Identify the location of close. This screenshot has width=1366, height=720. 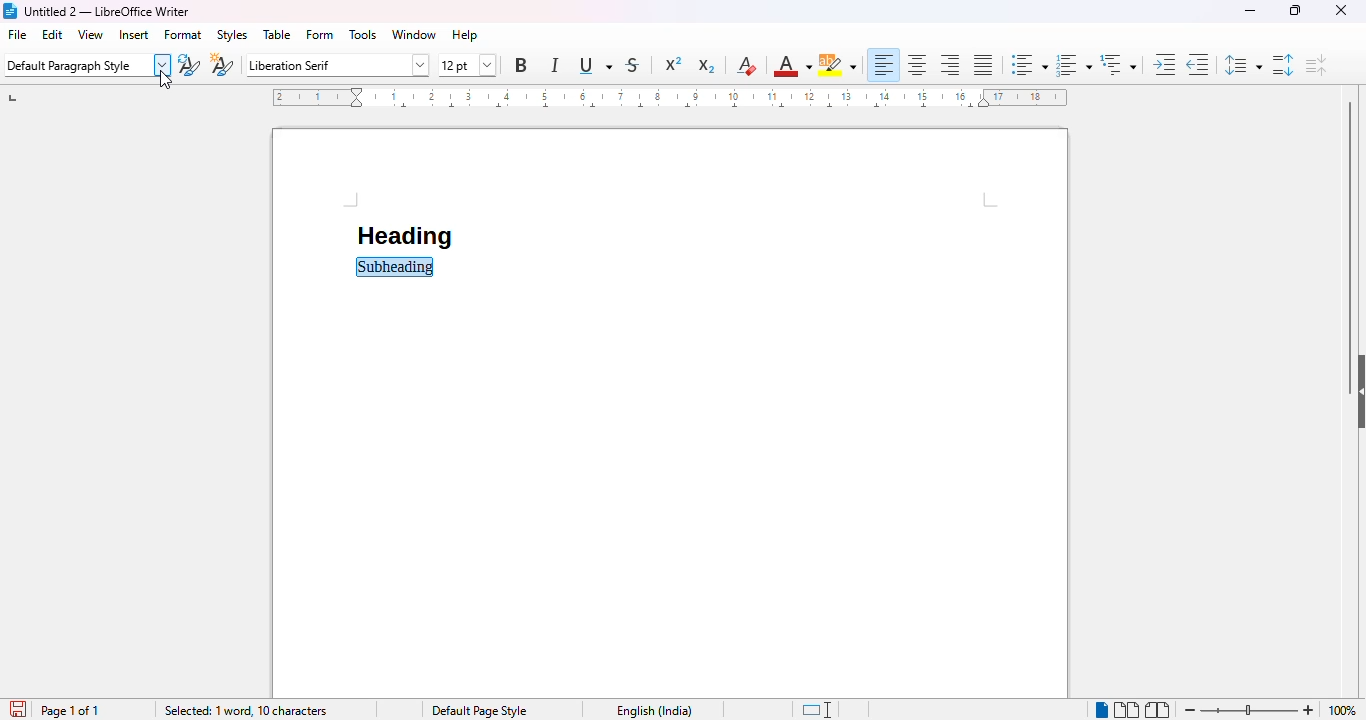
(1341, 10).